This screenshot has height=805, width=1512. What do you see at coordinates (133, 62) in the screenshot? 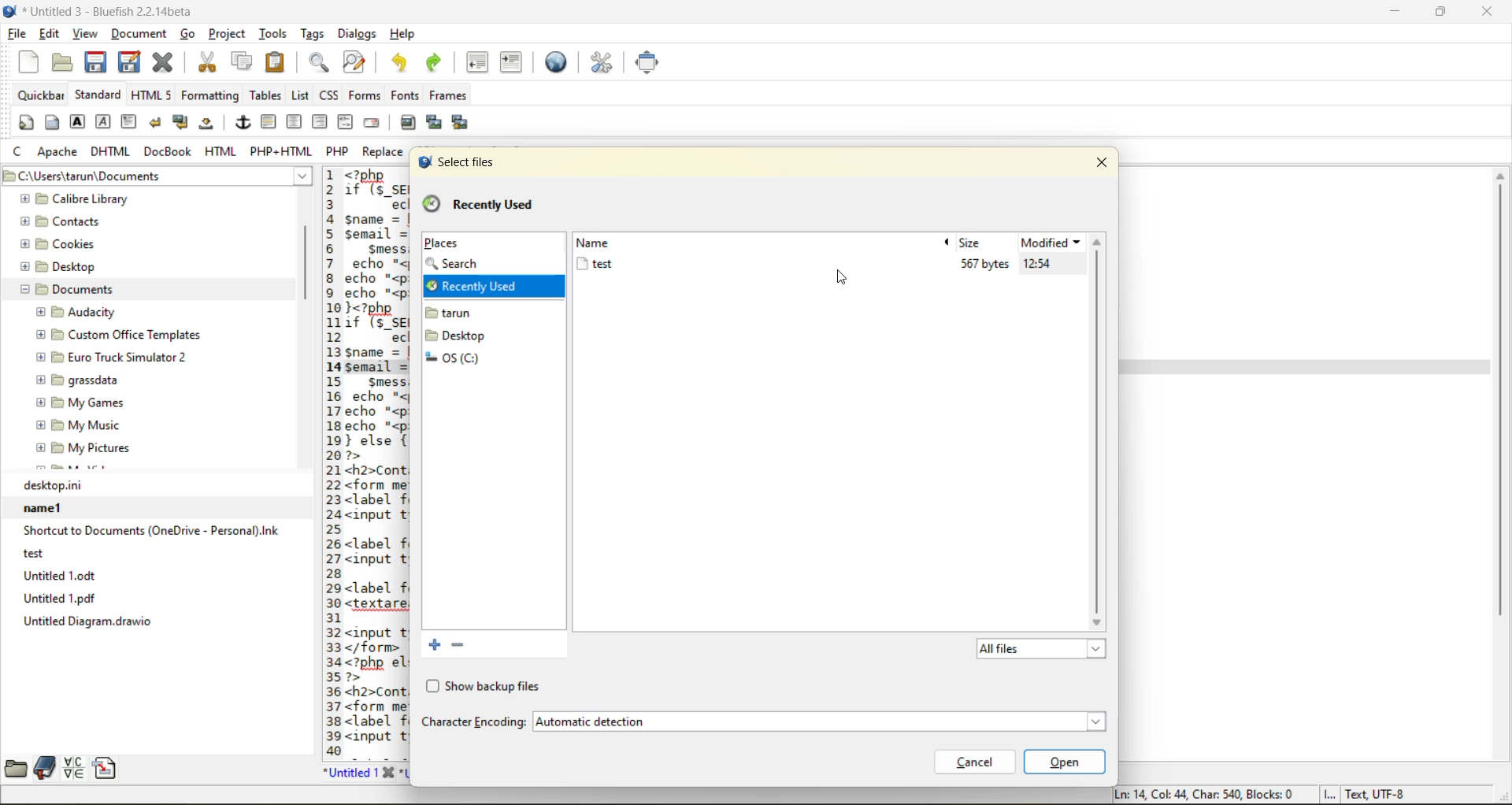
I see `save as` at bounding box center [133, 62].